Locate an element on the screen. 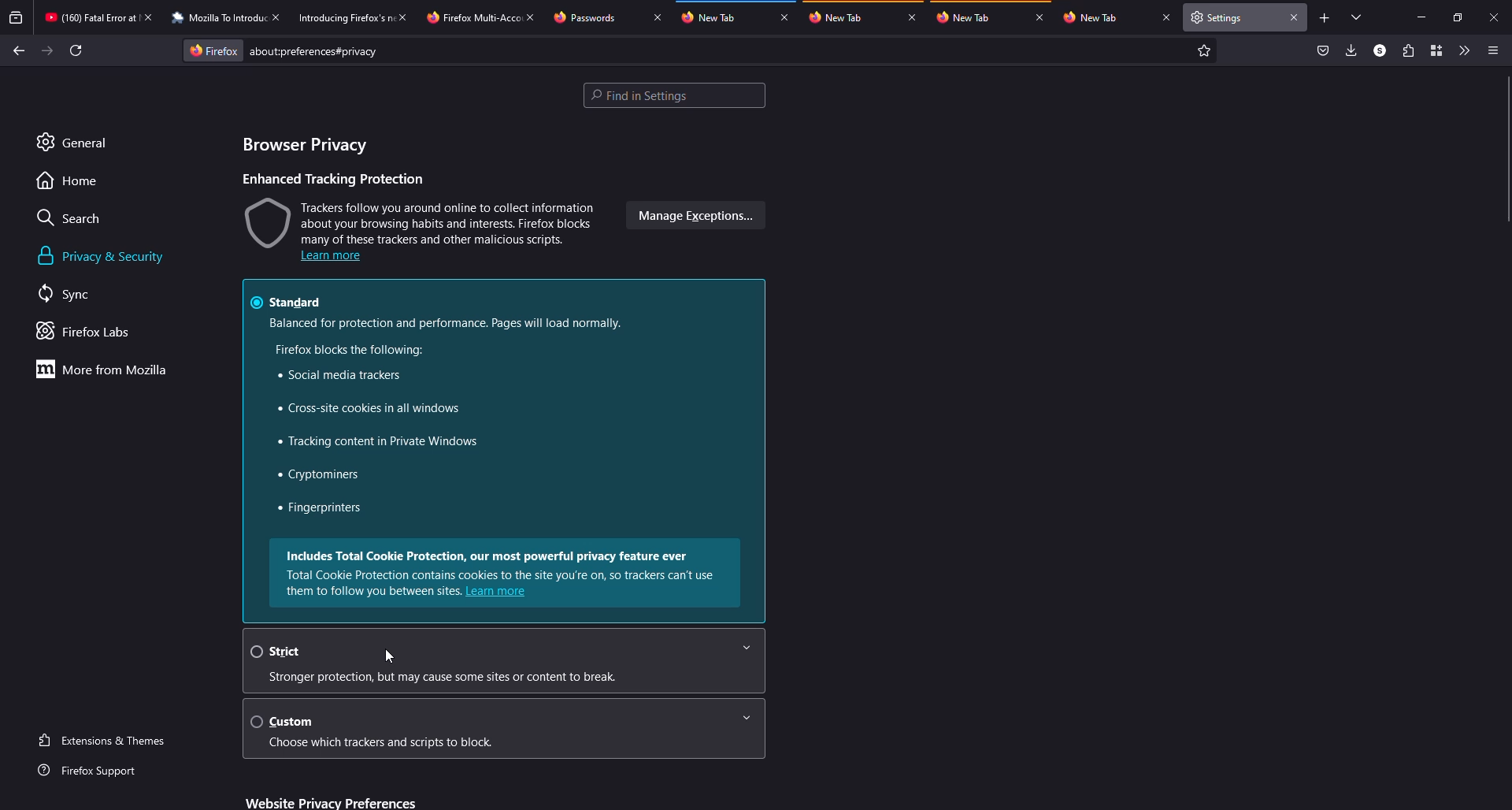 This screenshot has height=810, width=1512. home is located at coordinates (69, 182).